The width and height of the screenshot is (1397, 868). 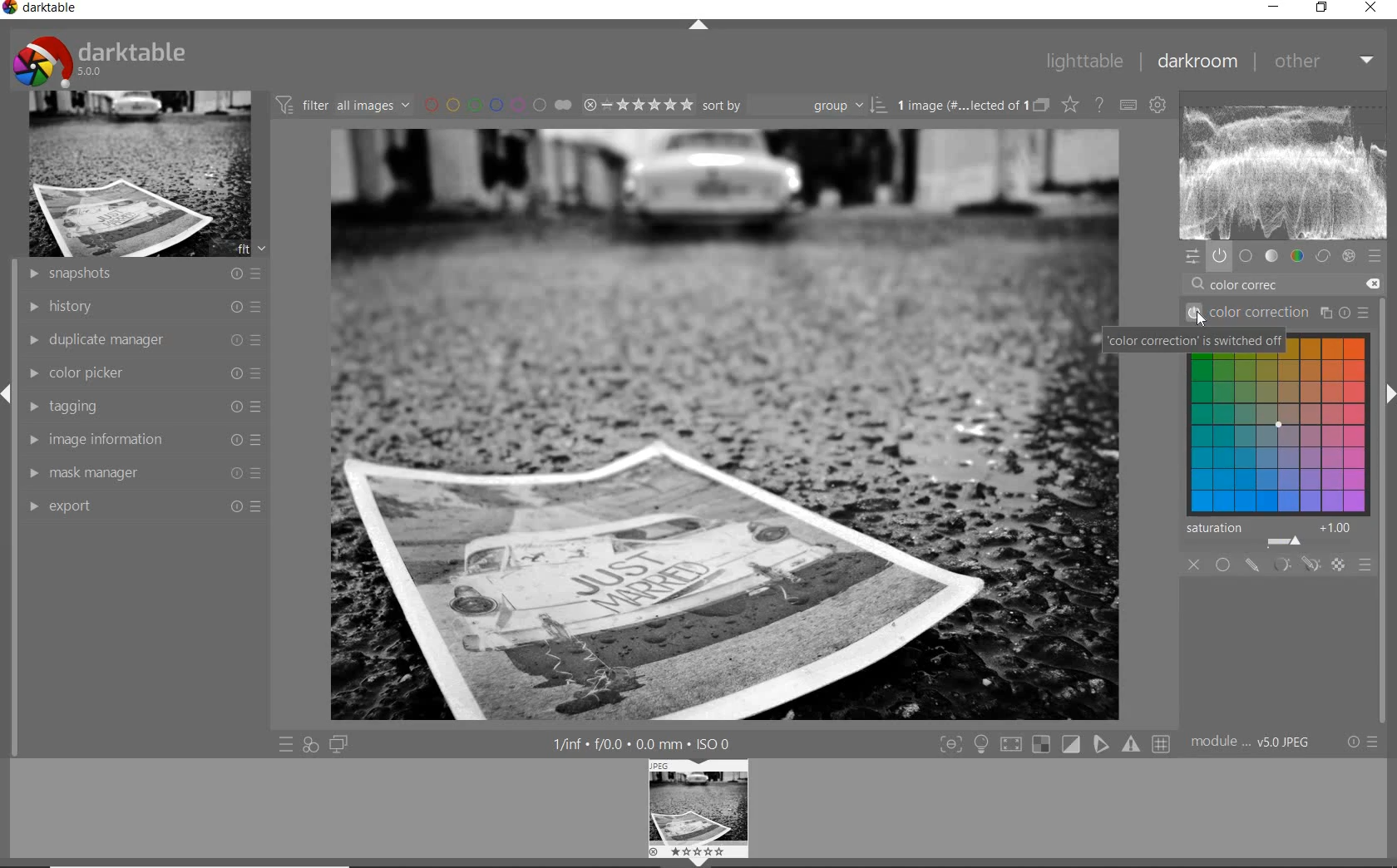 I want to click on other, so click(x=1326, y=62).